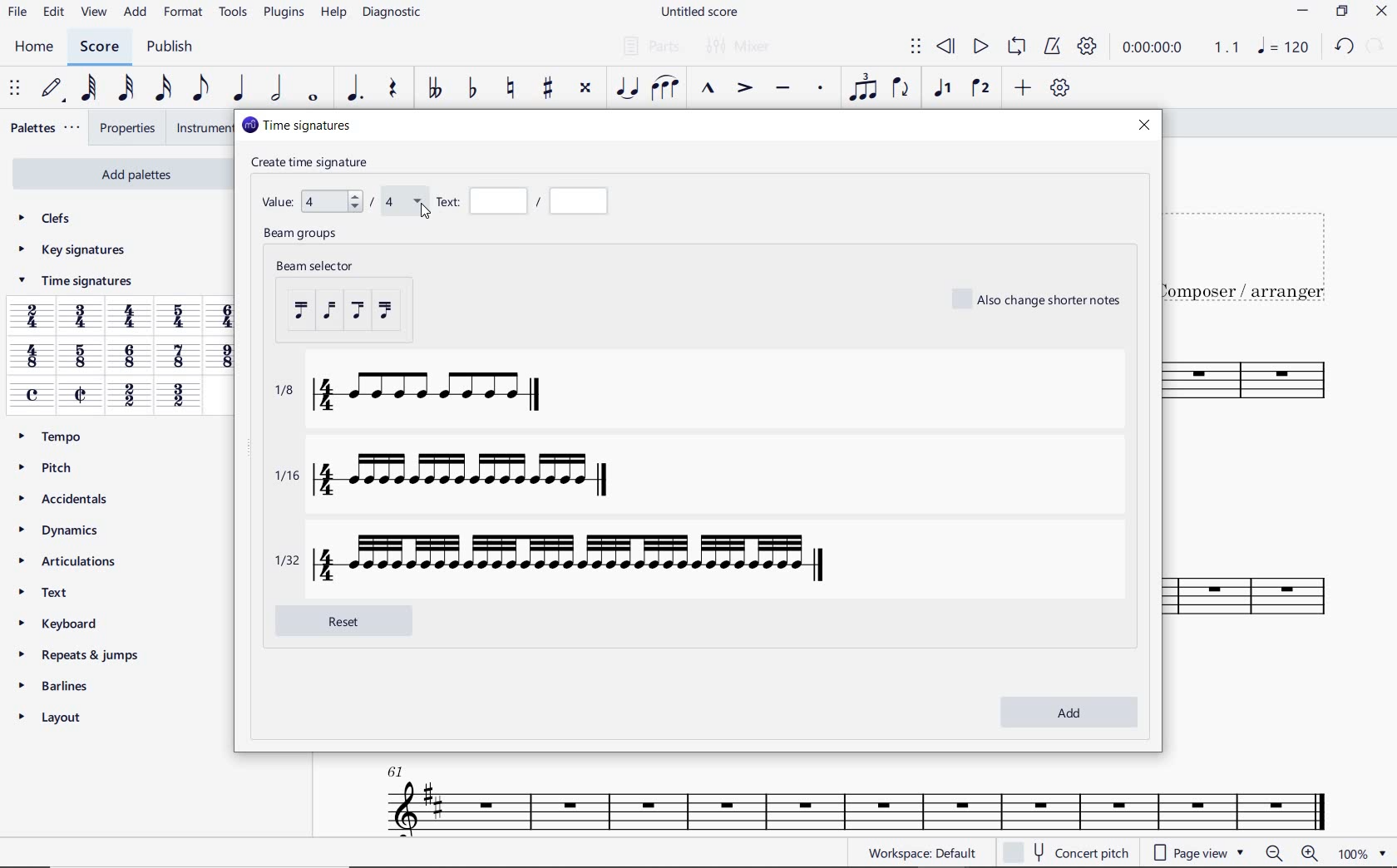 The height and width of the screenshot is (868, 1397). I want to click on 5/8, so click(79, 358).